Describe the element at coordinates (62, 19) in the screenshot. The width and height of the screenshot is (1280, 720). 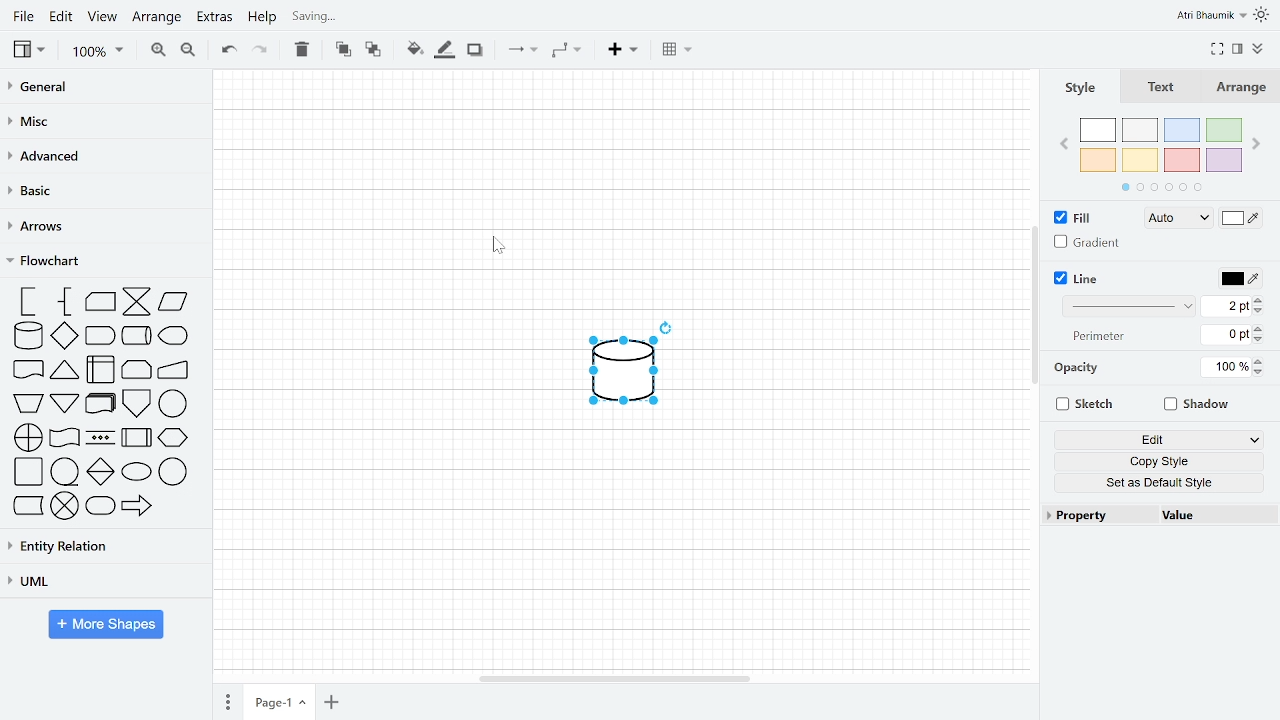
I see `Edit` at that location.